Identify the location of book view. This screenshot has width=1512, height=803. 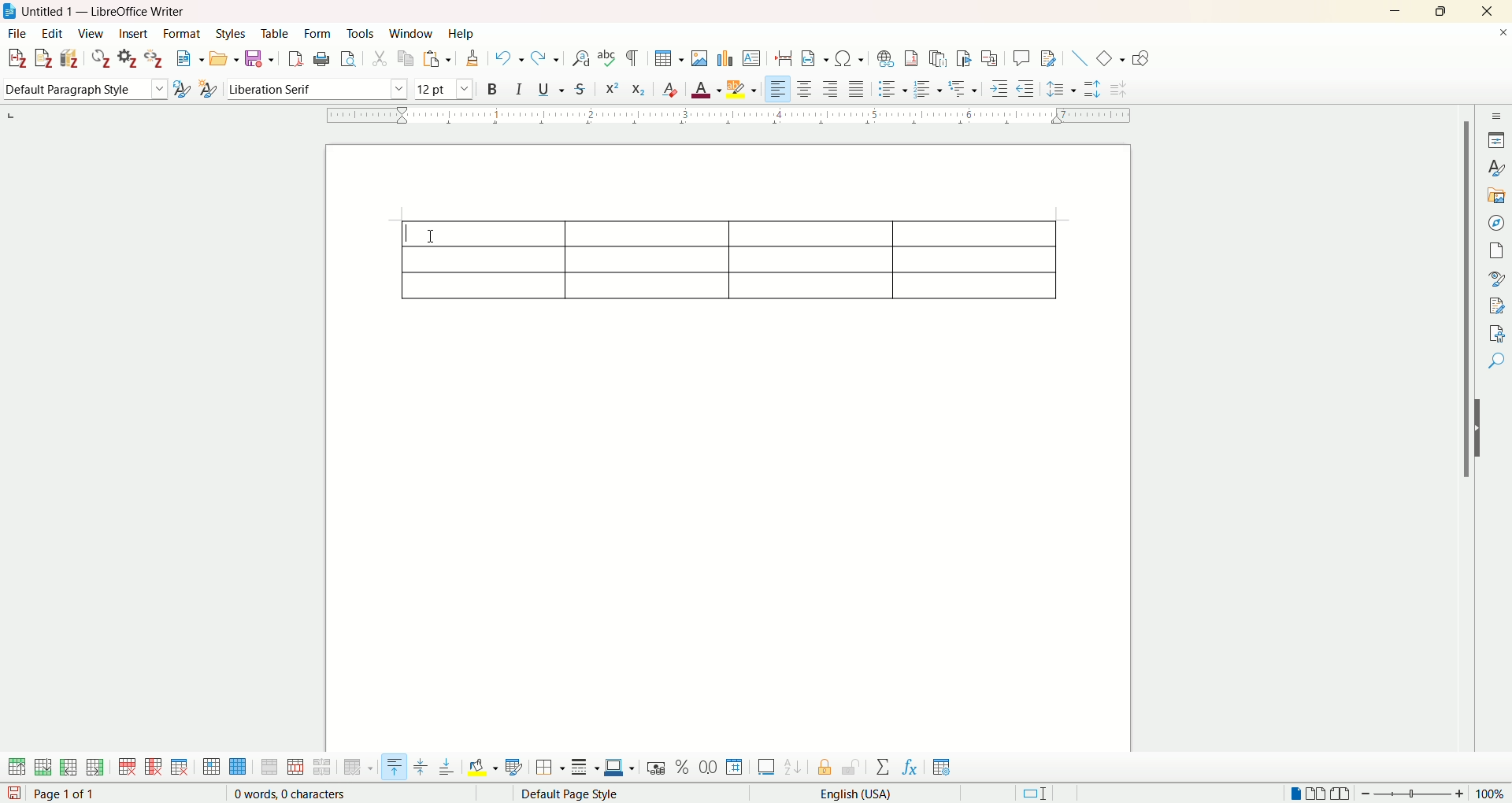
(1341, 794).